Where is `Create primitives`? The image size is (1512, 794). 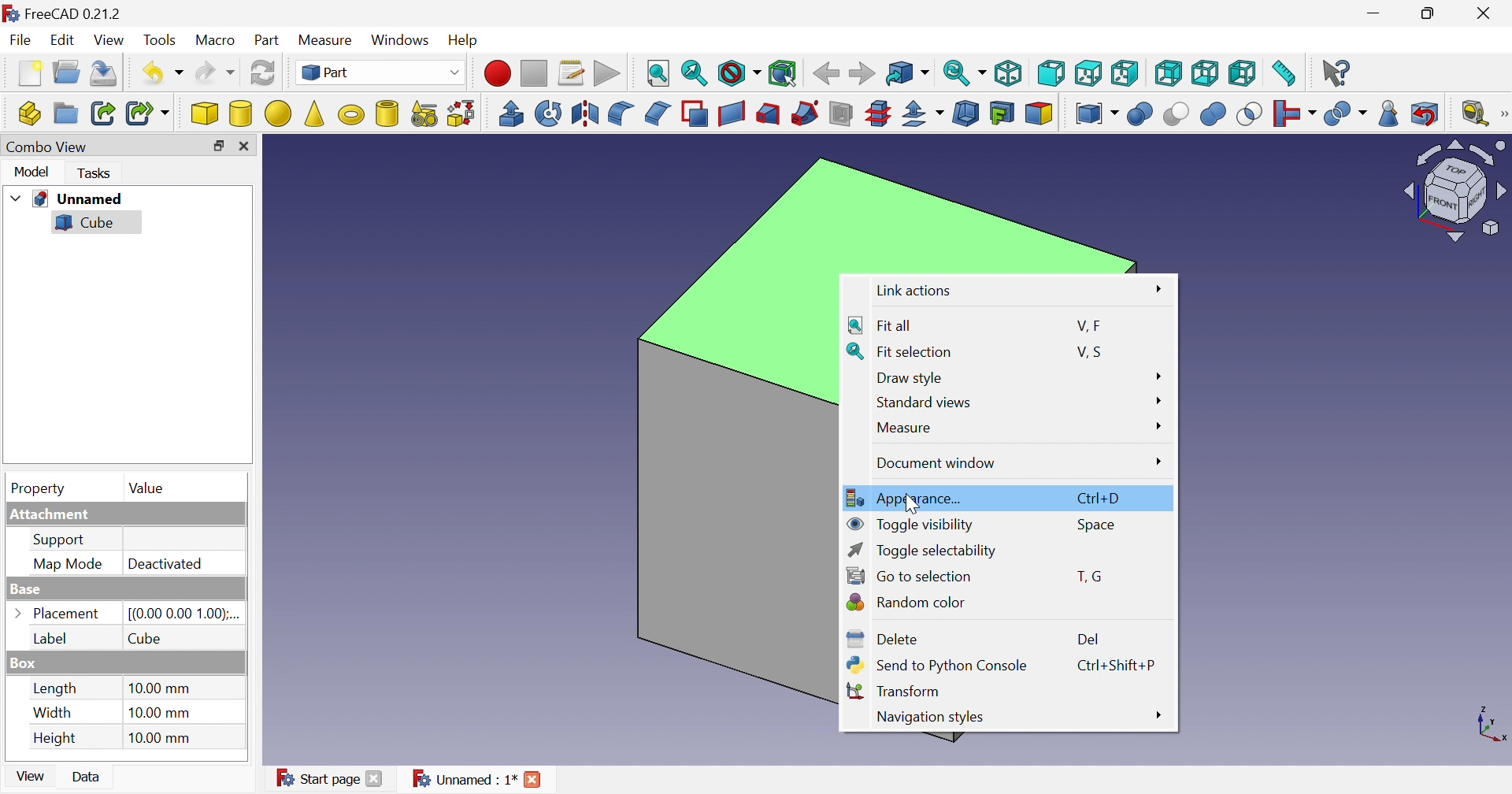 Create primitives is located at coordinates (425, 113).